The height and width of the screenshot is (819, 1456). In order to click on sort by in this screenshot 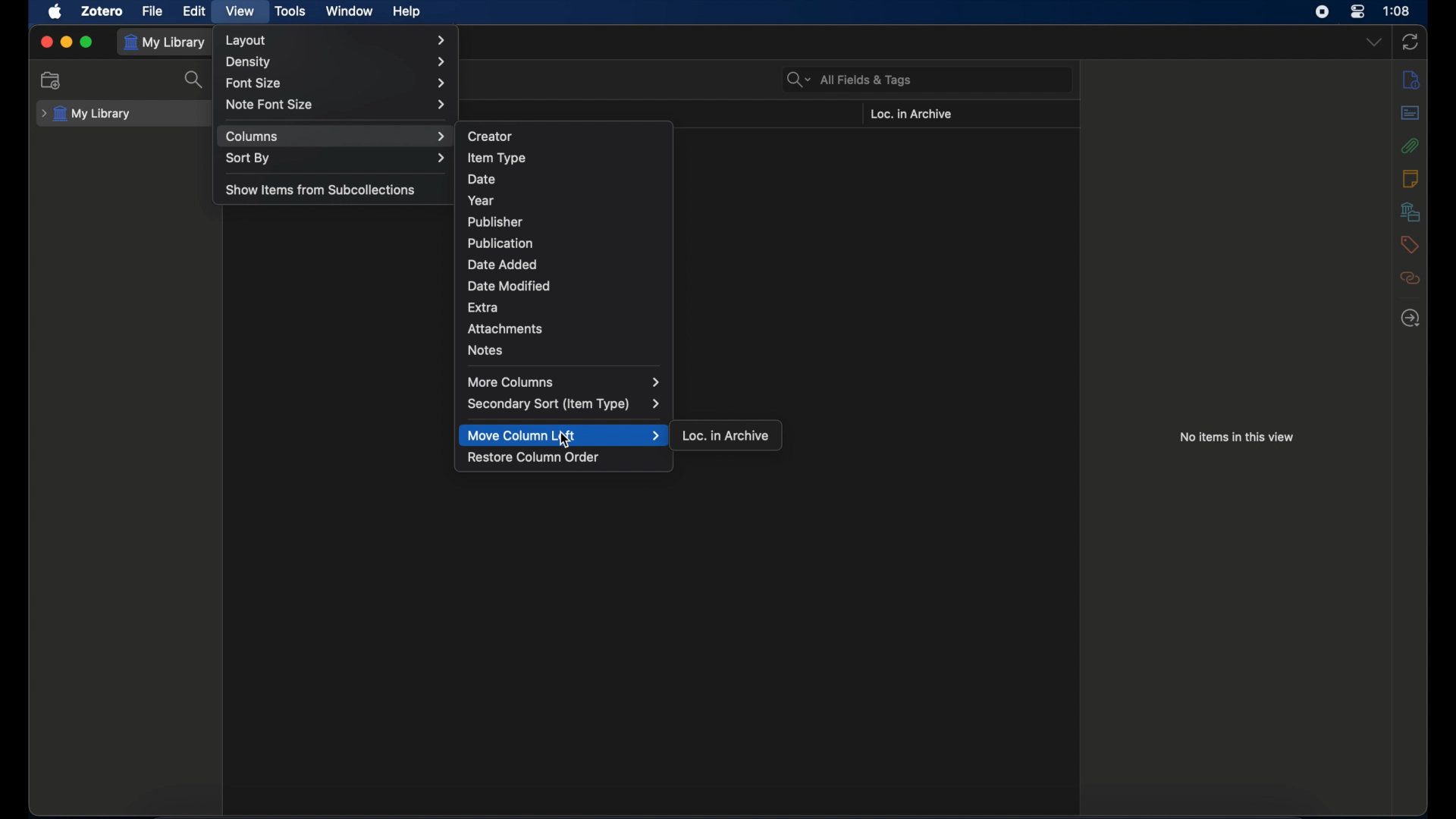, I will do `click(335, 158)`.